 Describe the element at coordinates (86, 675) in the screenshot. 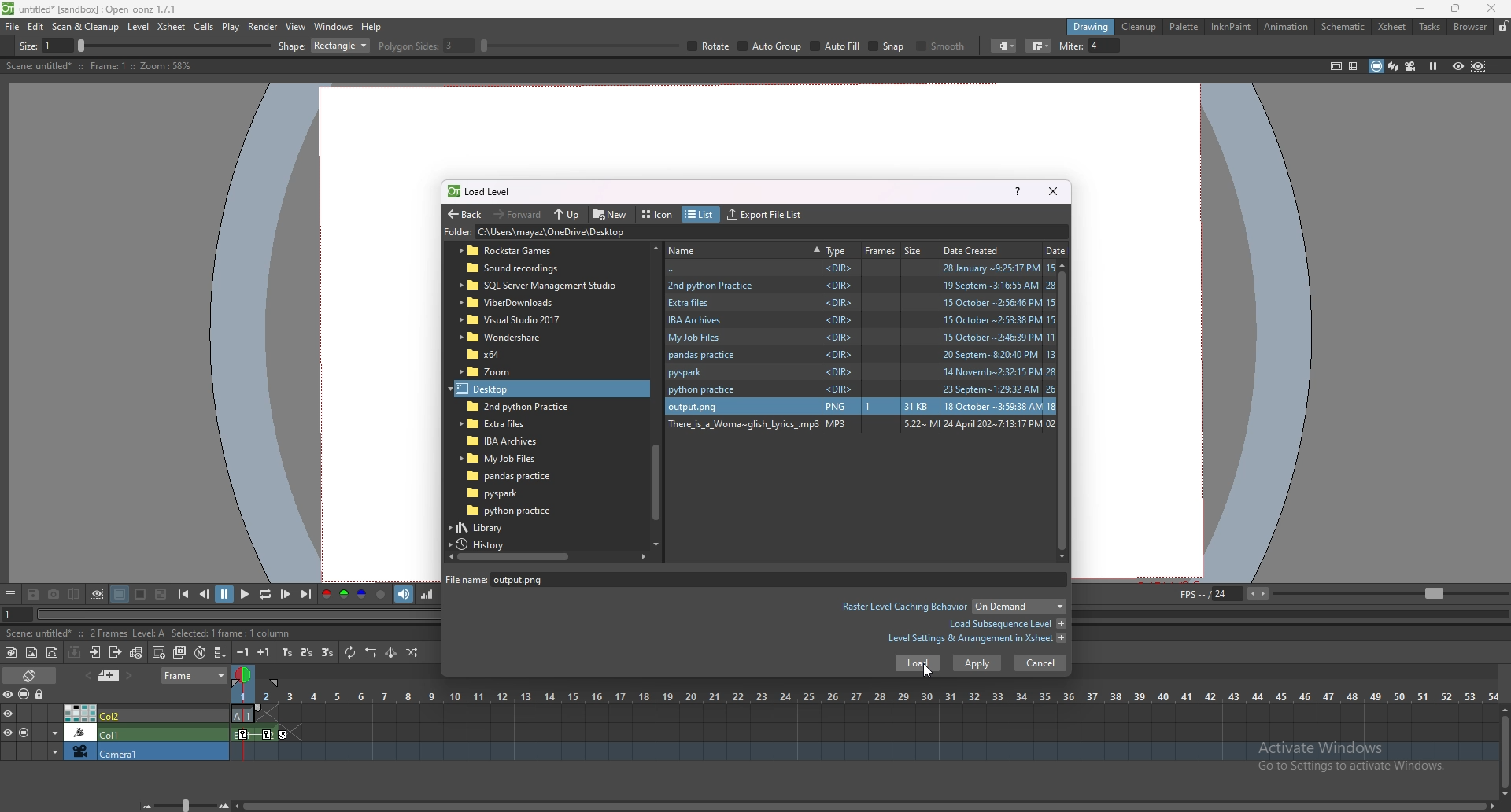

I see `previous memo` at that location.